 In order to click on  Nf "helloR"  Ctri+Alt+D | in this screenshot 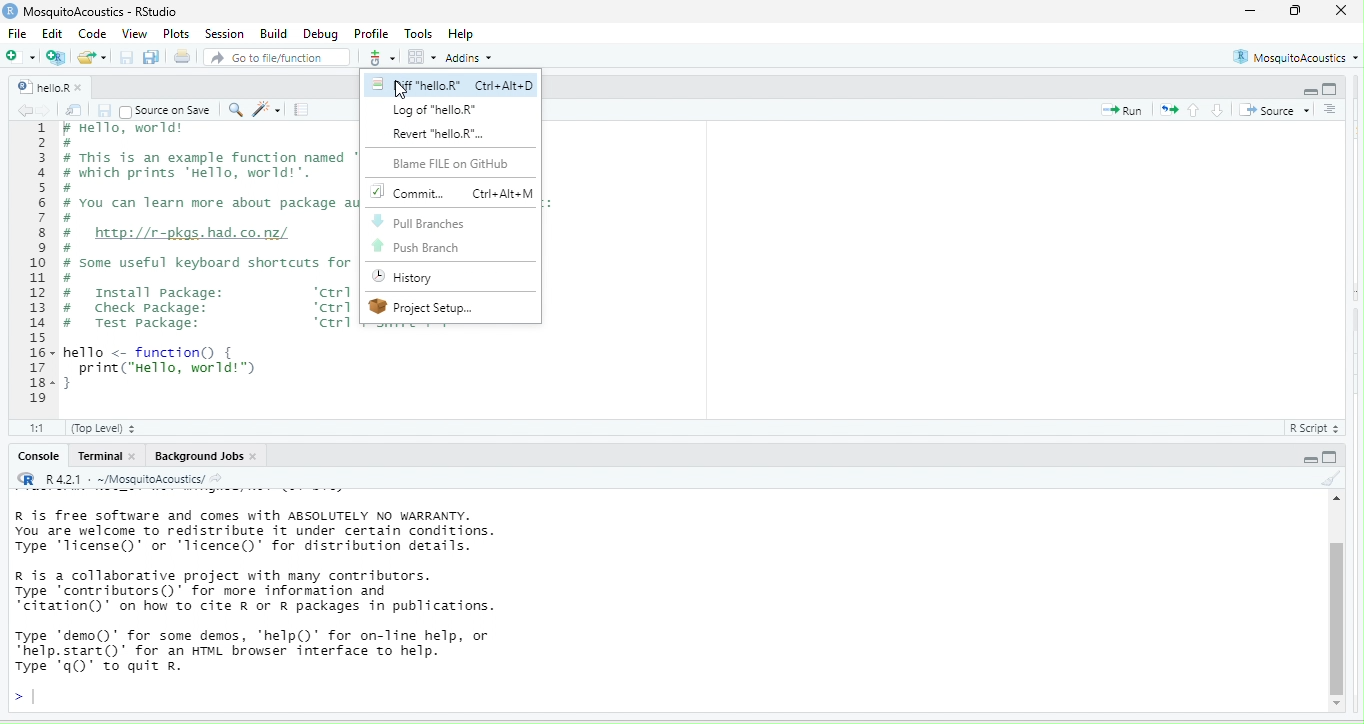, I will do `click(457, 86)`.